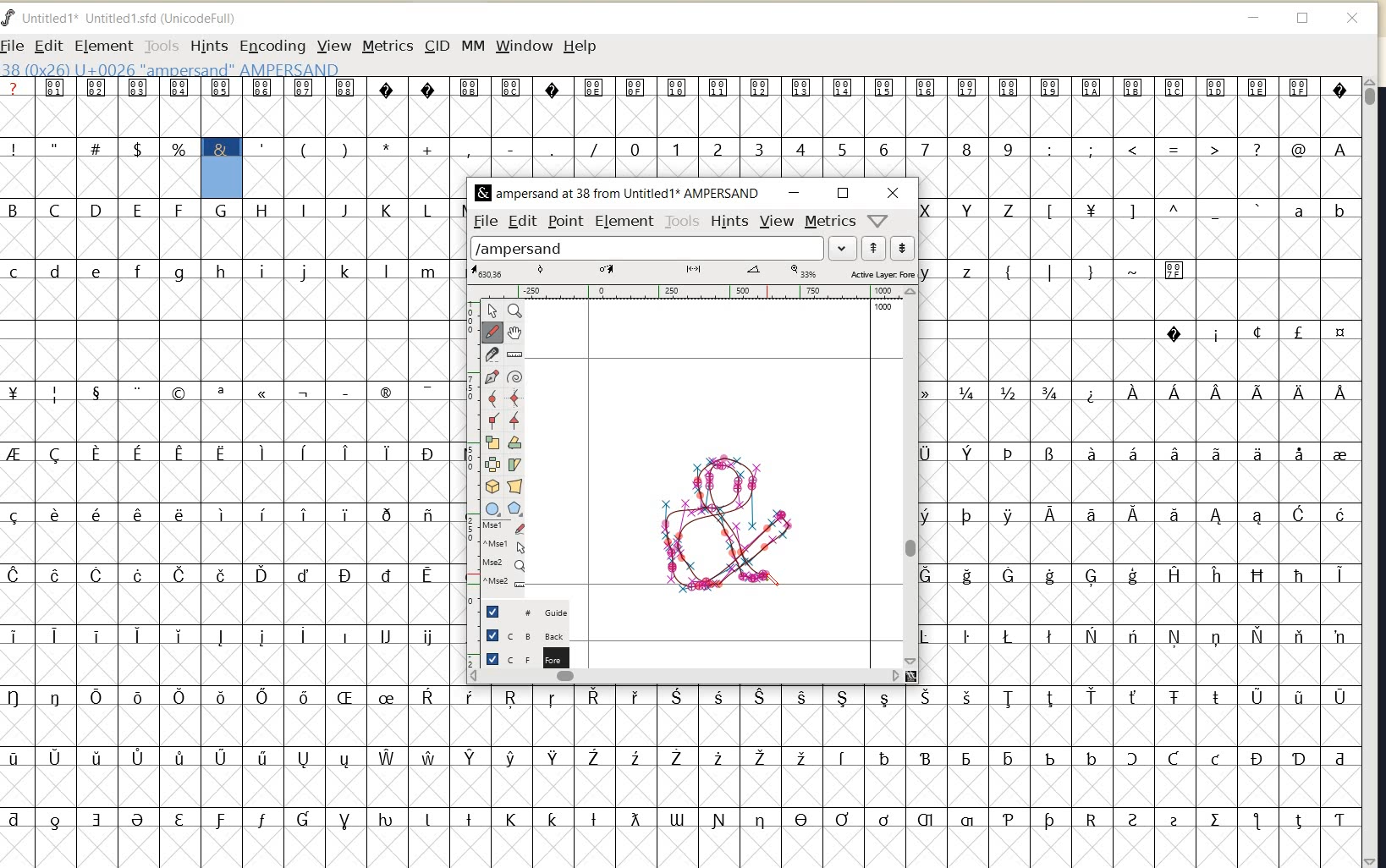 The height and width of the screenshot is (868, 1386). What do you see at coordinates (435, 45) in the screenshot?
I see `CID` at bounding box center [435, 45].